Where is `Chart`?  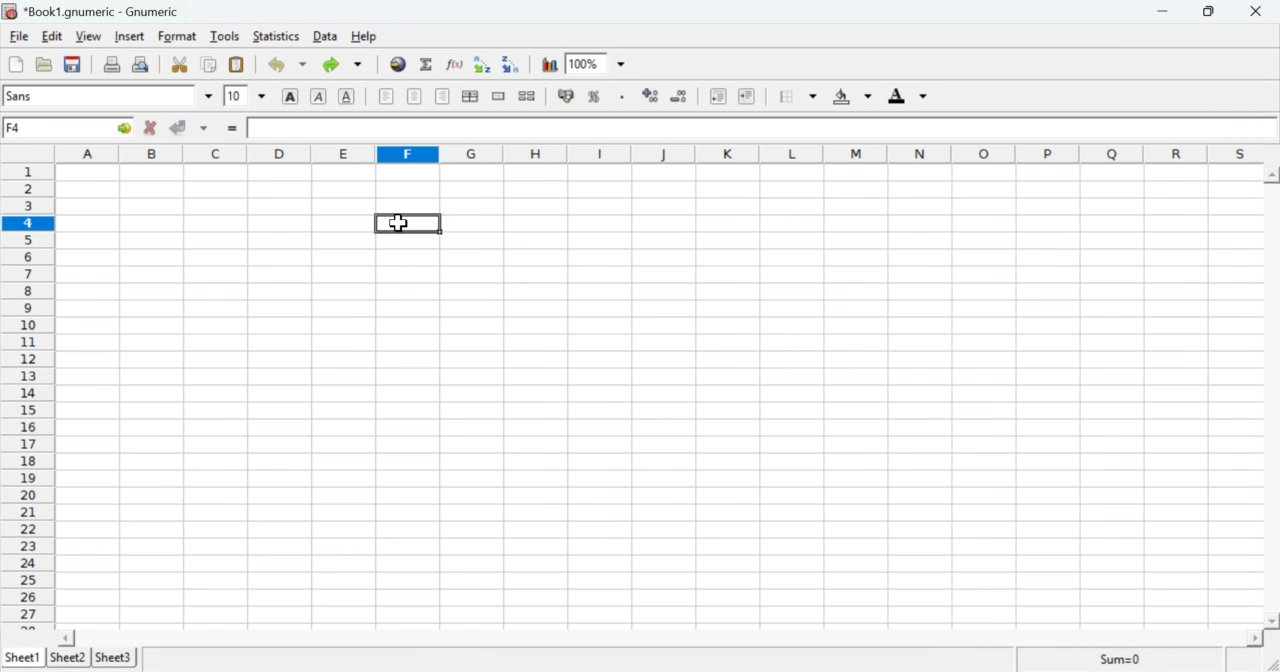
Chart is located at coordinates (547, 64).